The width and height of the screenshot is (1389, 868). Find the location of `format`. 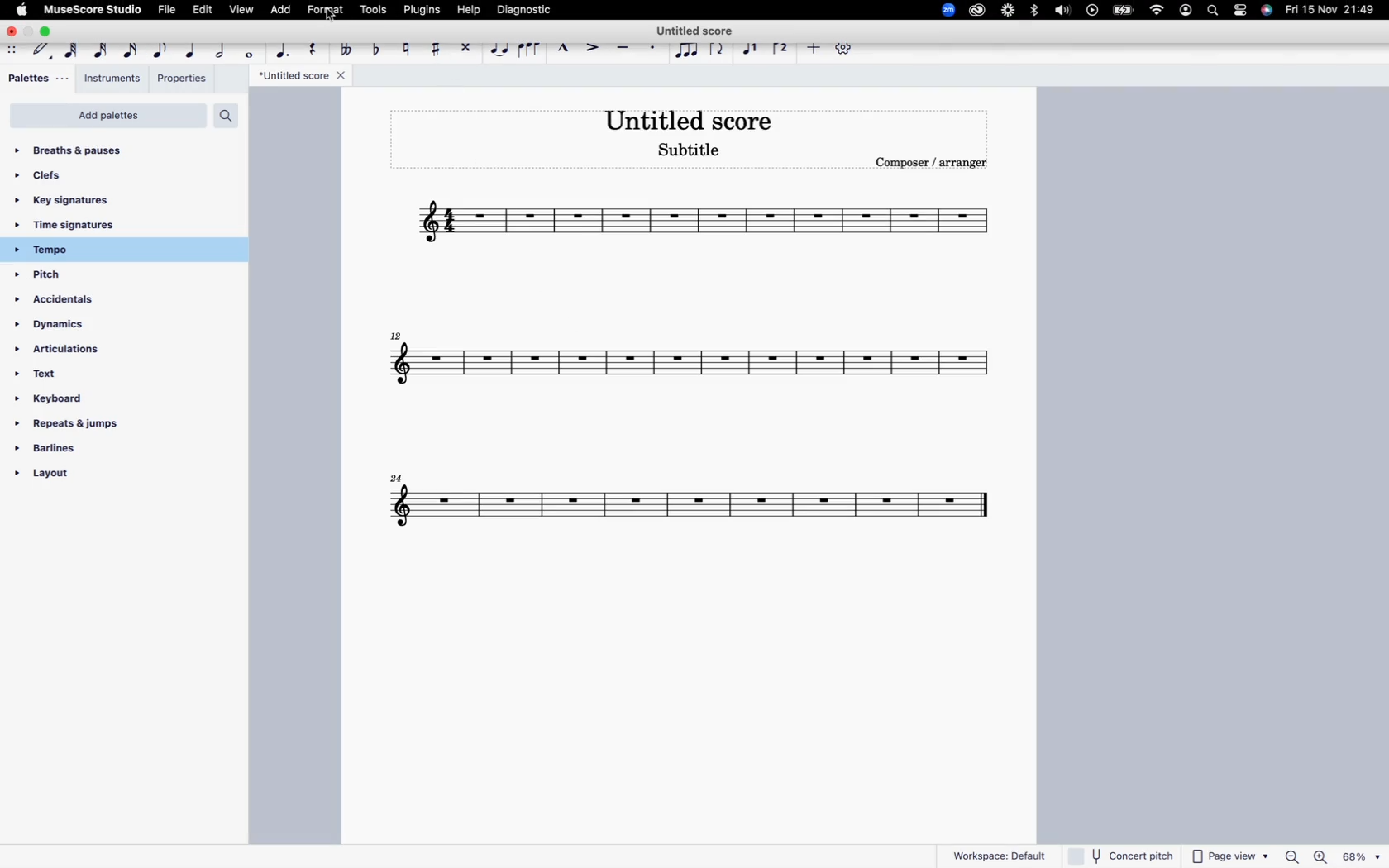

format is located at coordinates (327, 12).